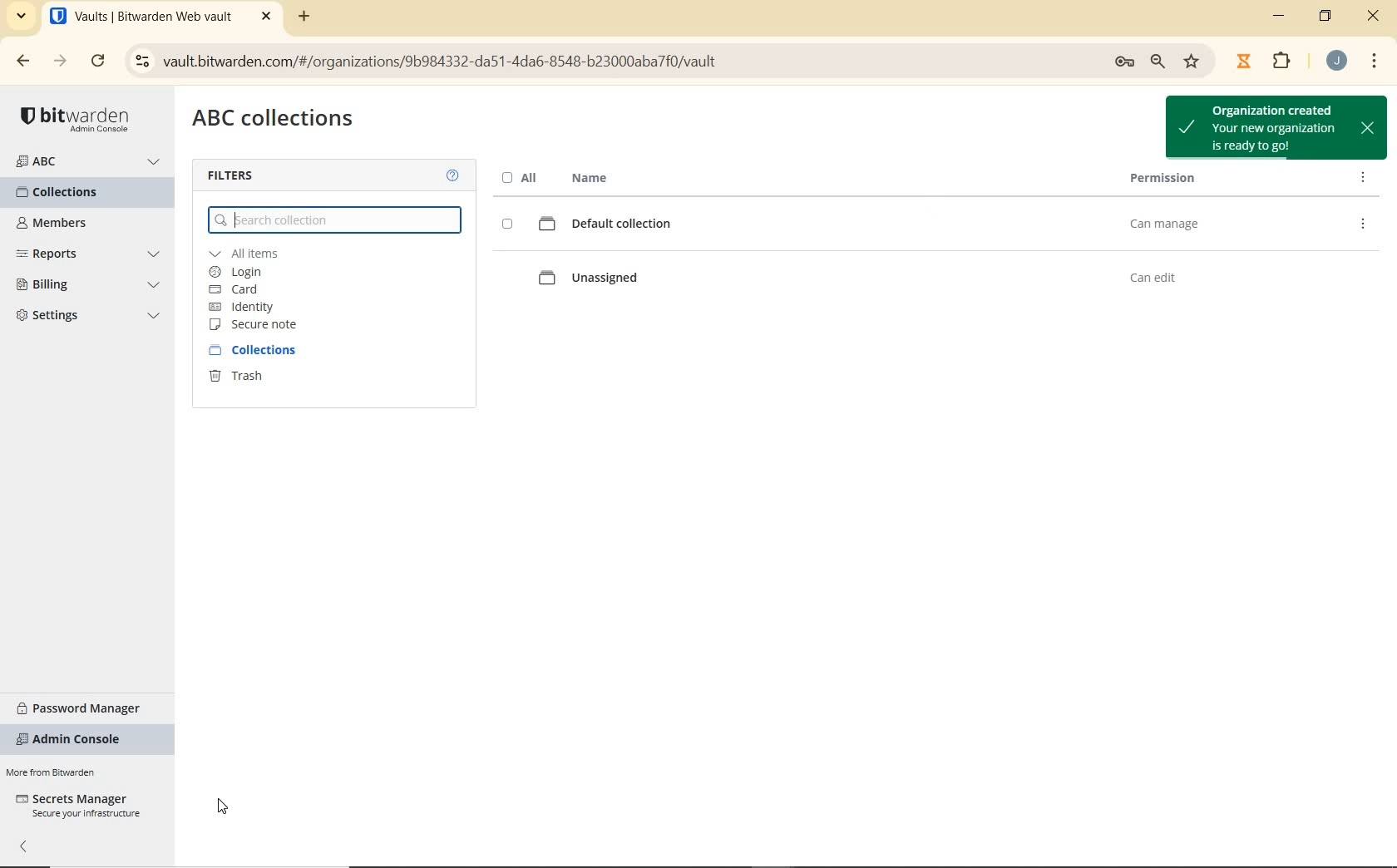 The height and width of the screenshot is (868, 1397). I want to click on FORWARD, so click(60, 62).